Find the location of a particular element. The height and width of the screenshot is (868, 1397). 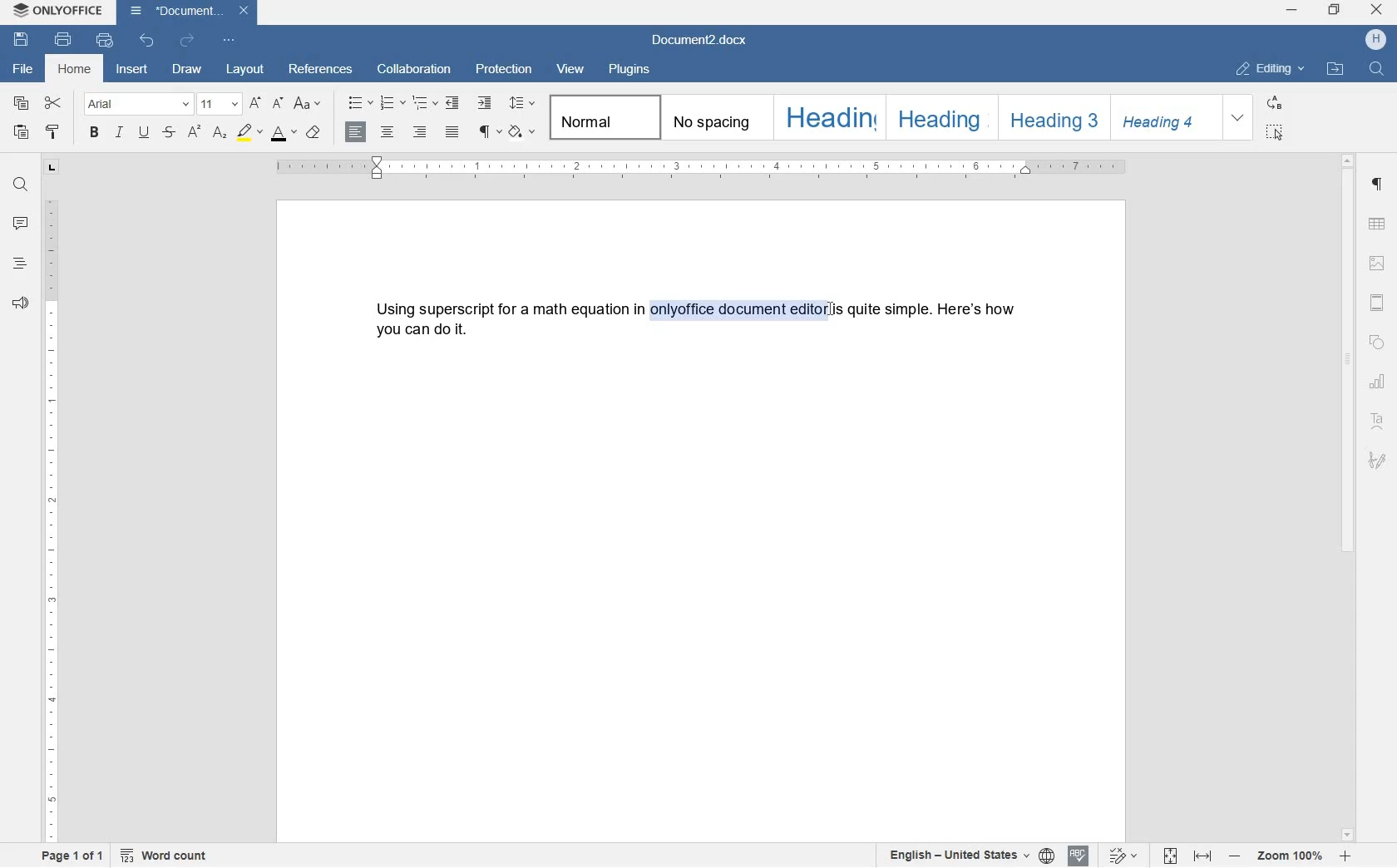

scrollbar is located at coordinates (1350, 497).